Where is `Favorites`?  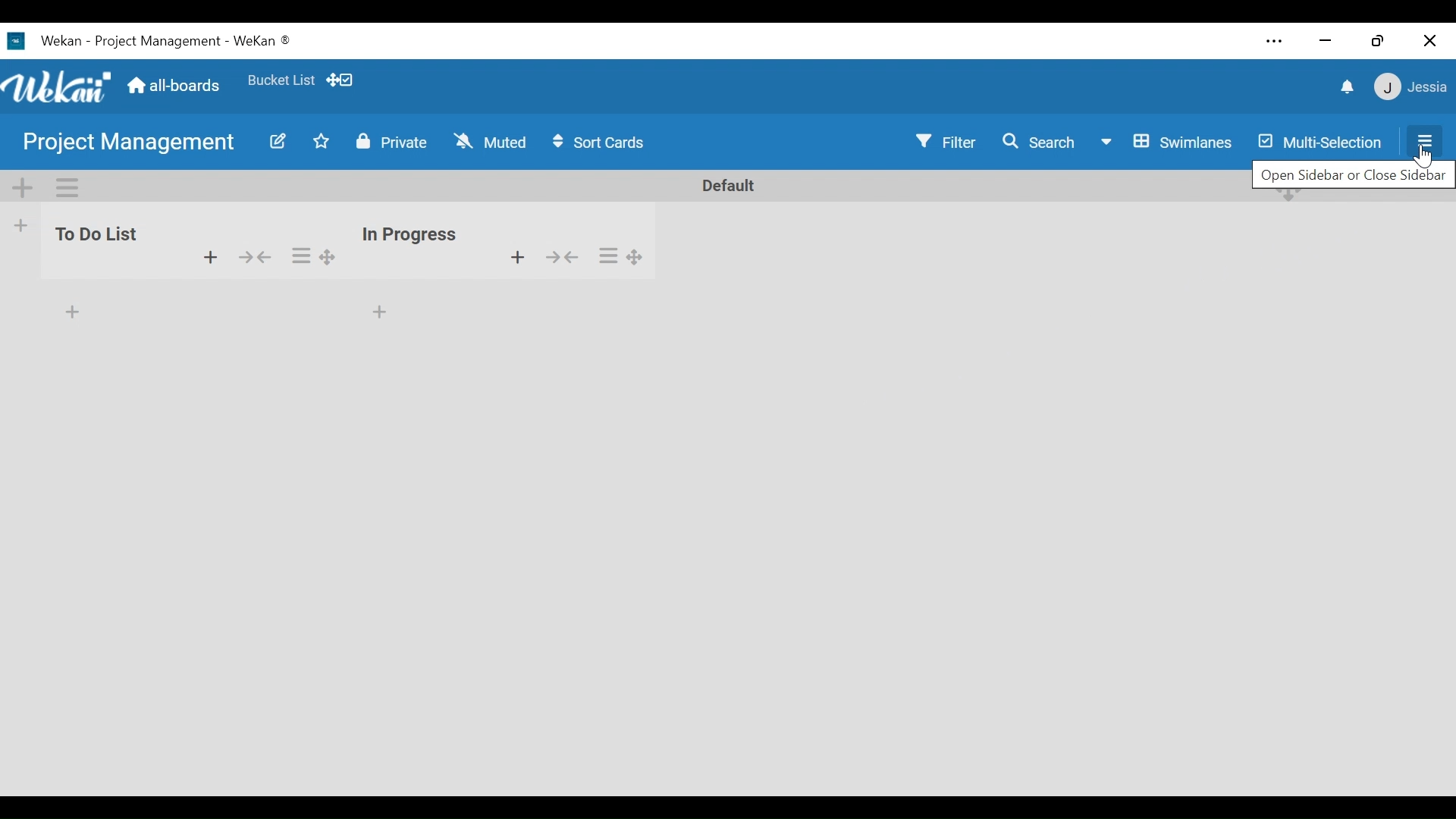
Favorites is located at coordinates (283, 82).